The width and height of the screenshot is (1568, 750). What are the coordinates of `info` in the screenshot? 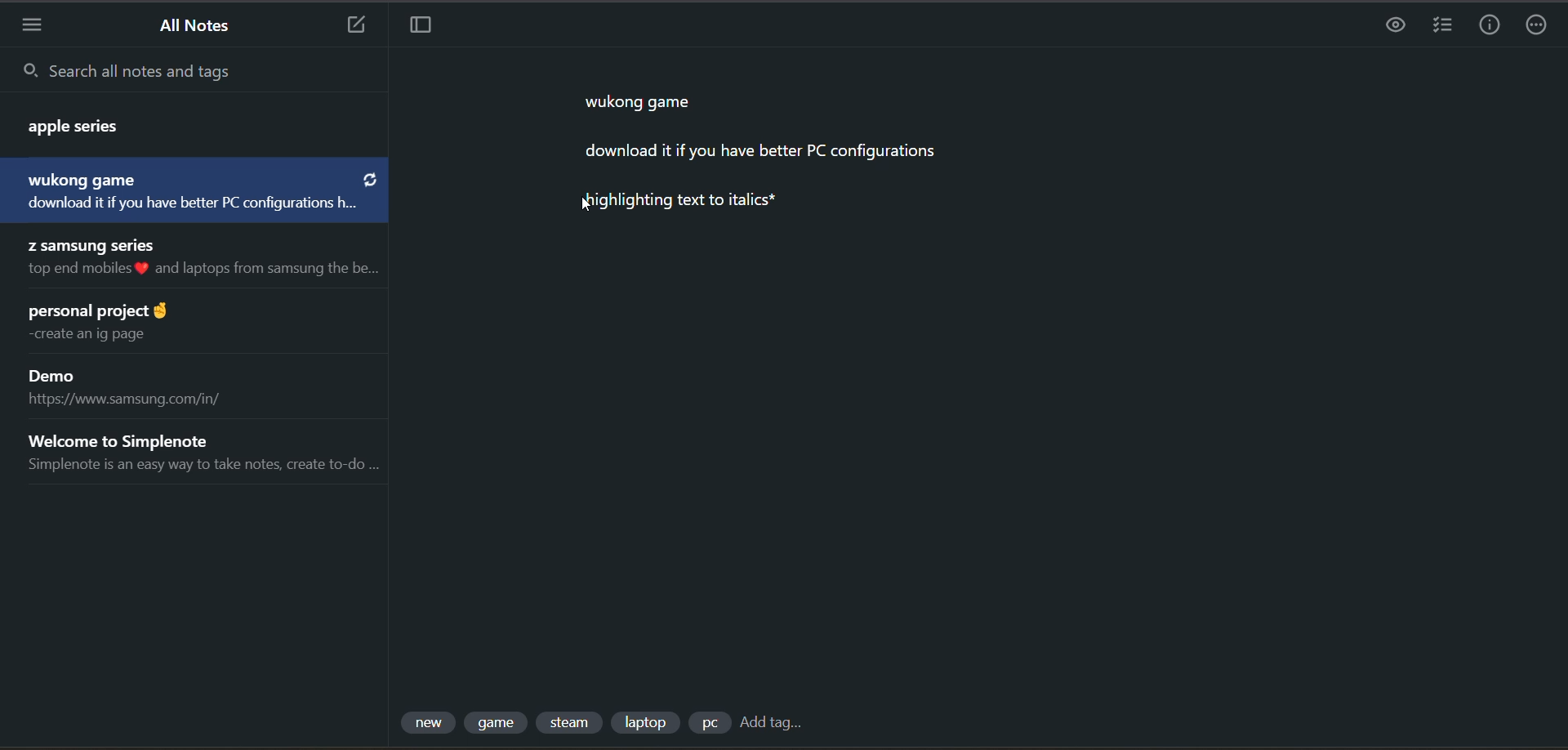 It's located at (1489, 26).